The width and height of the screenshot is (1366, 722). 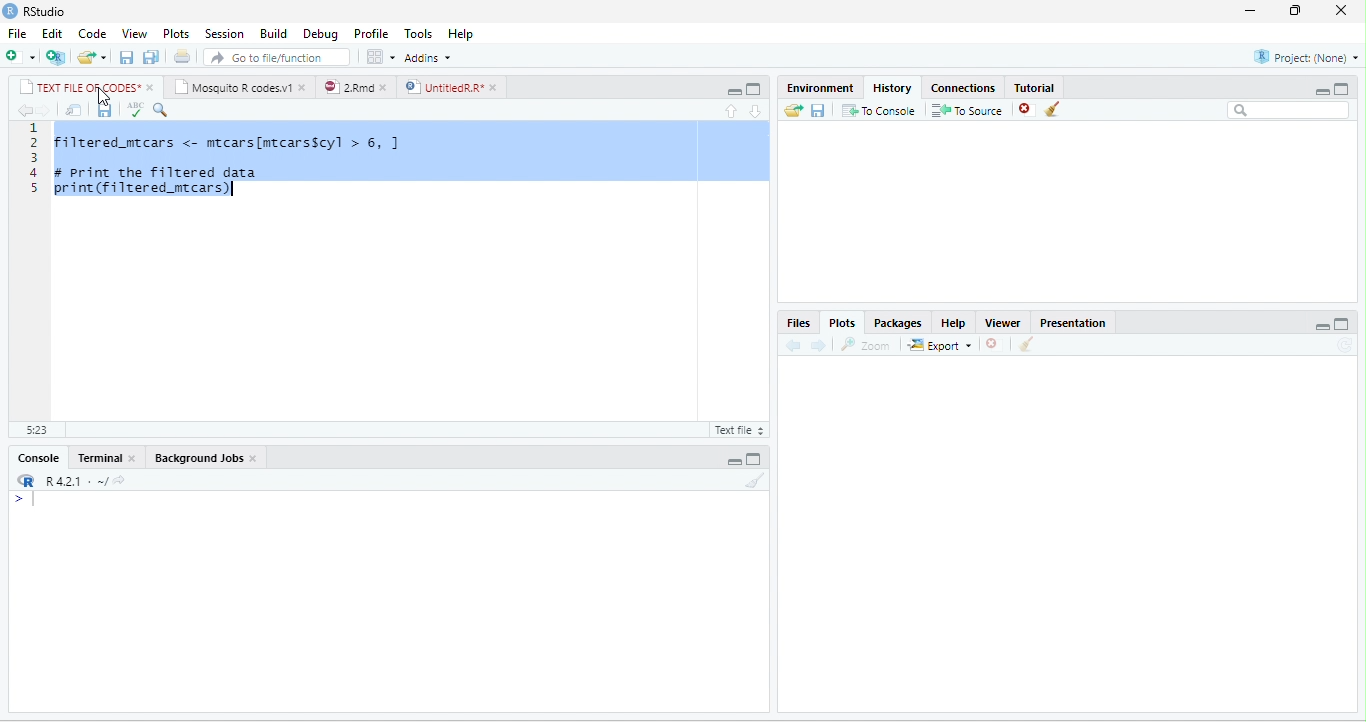 I want to click on options, so click(x=380, y=56).